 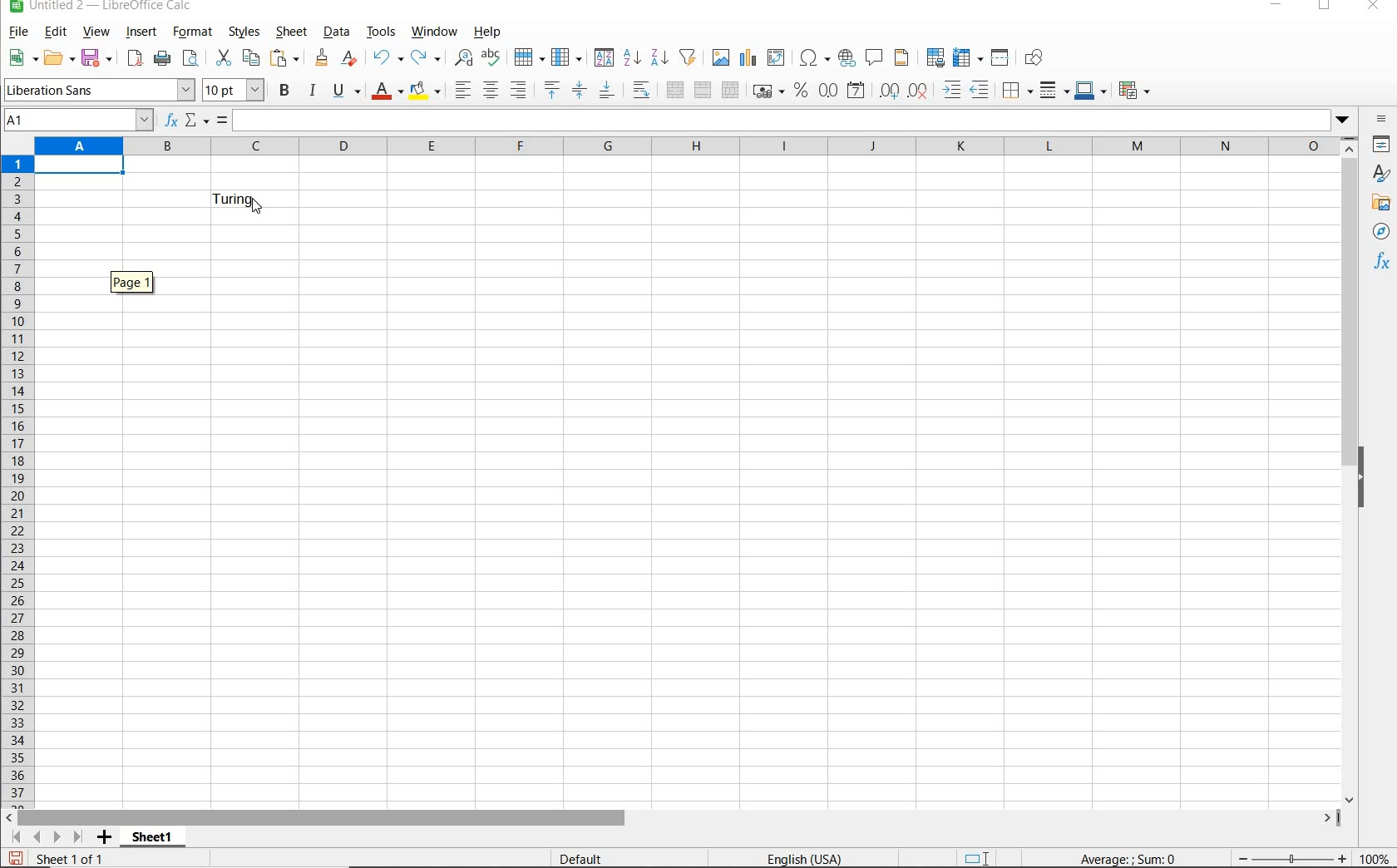 What do you see at coordinates (721, 58) in the screenshot?
I see `INSERT IMAGE` at bounding box center [721, 58].